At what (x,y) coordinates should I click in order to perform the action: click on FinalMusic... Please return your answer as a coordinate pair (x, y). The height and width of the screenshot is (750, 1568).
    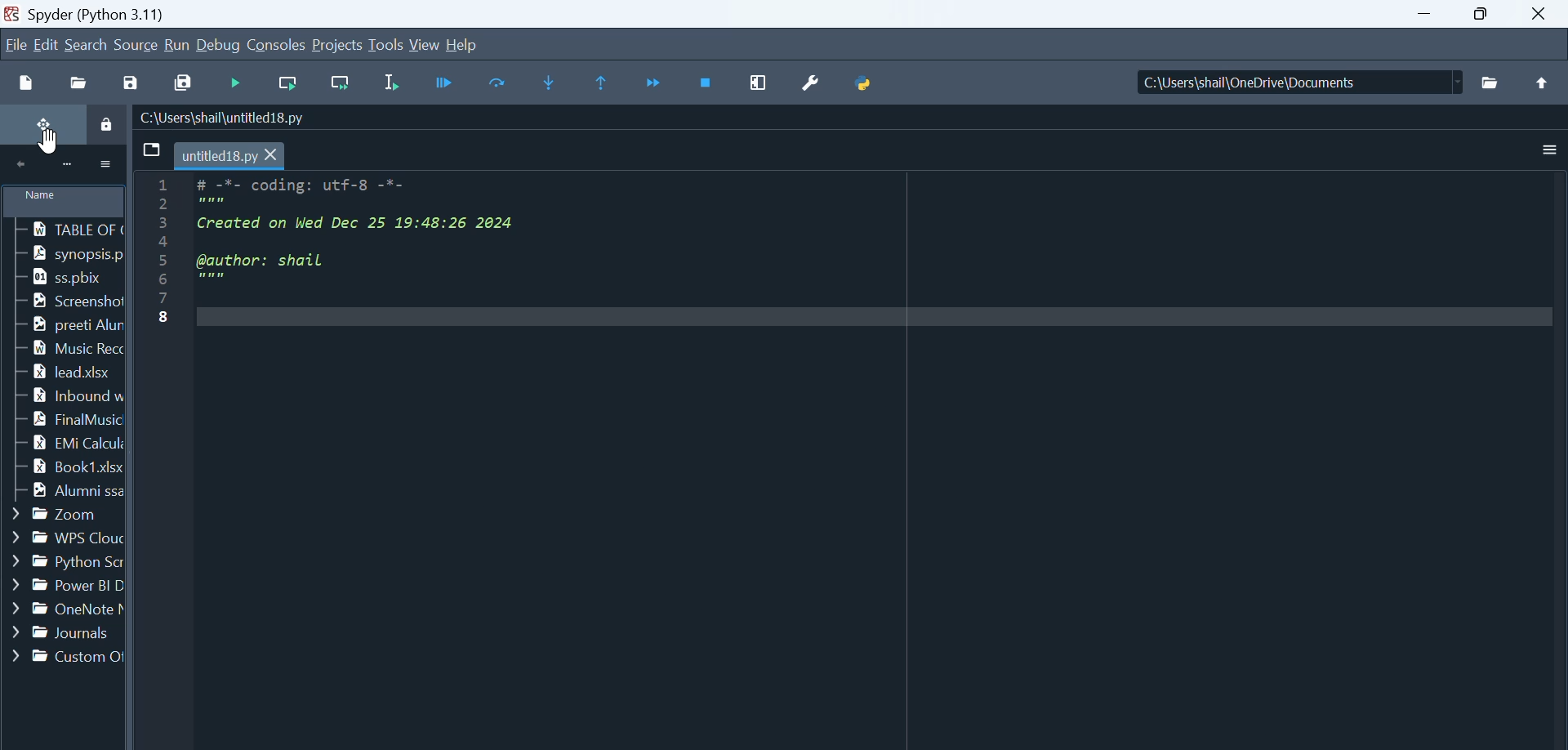
    Looking at the image, I should click on (60, 419).